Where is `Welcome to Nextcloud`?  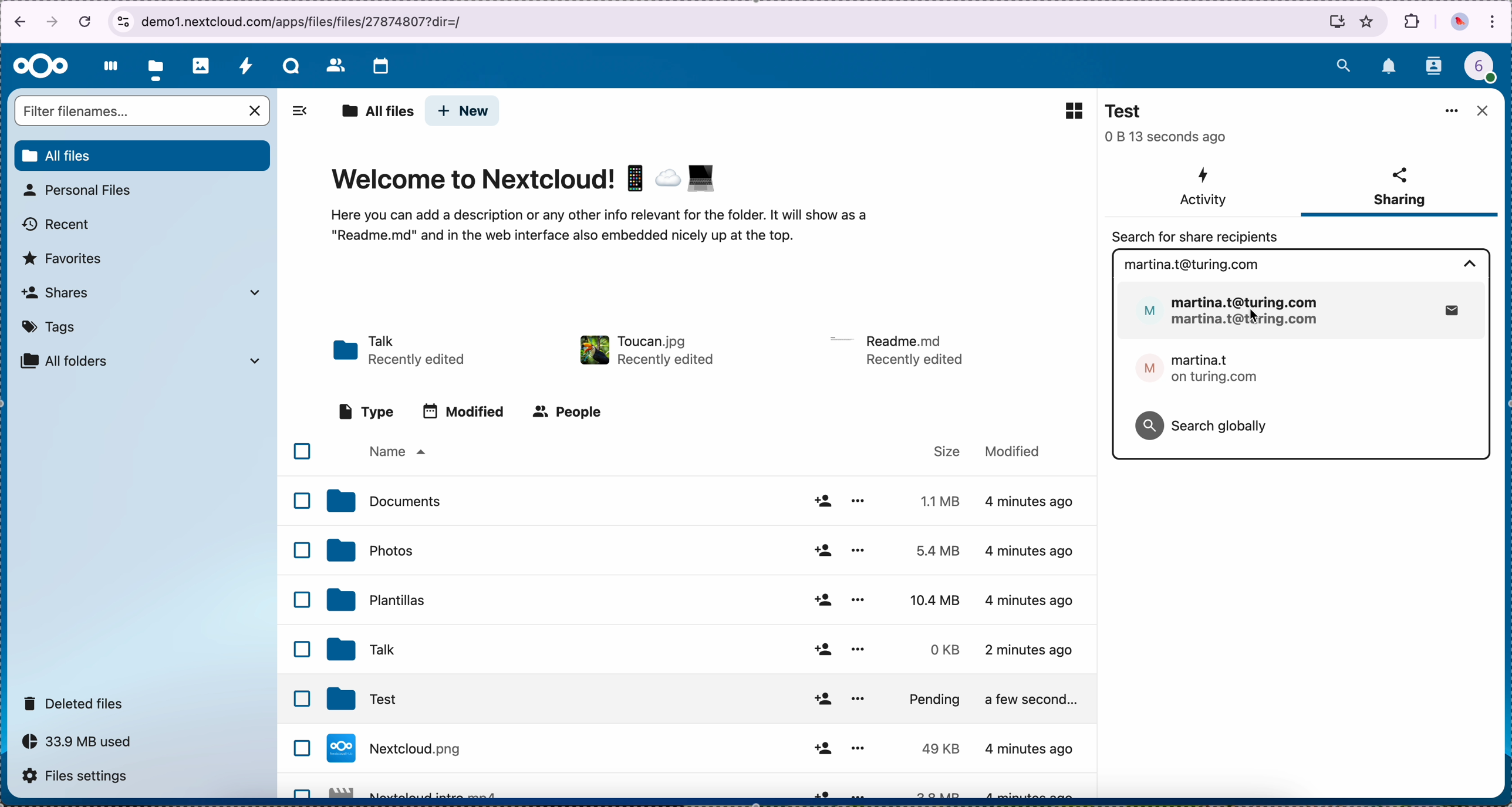 Welcome to Nextcloud is located at coordinates (526, 181).